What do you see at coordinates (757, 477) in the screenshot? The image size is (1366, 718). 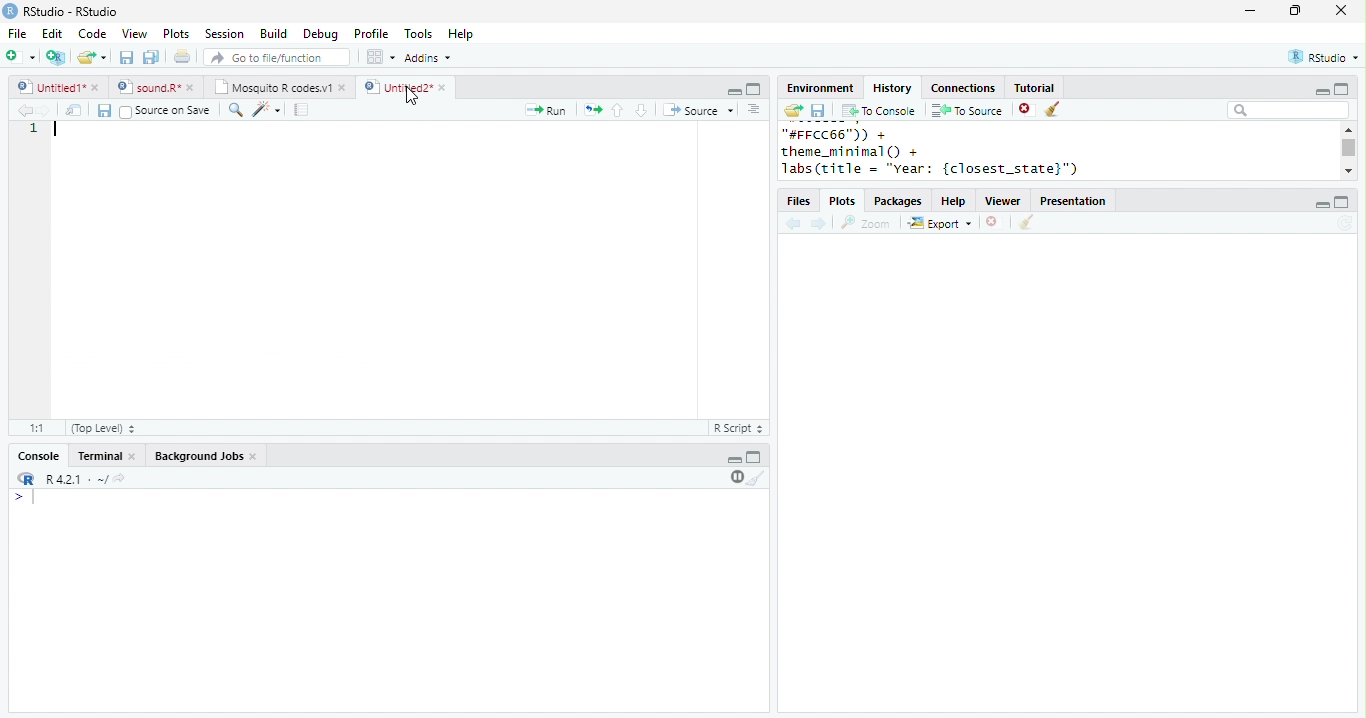 I see `clear` at bounding box center [757, 477].